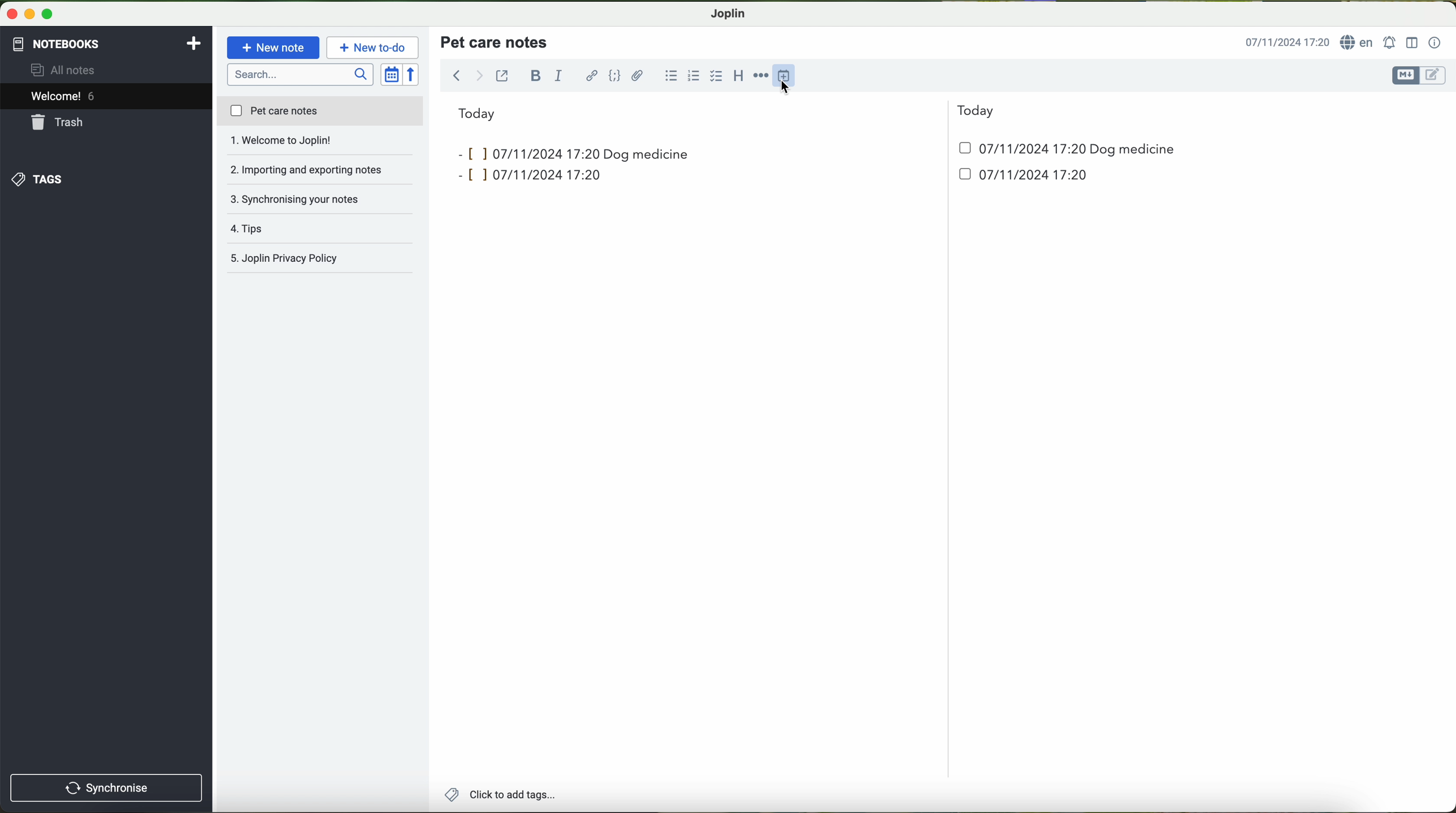  I want to click on inputs, so click(524, 153).